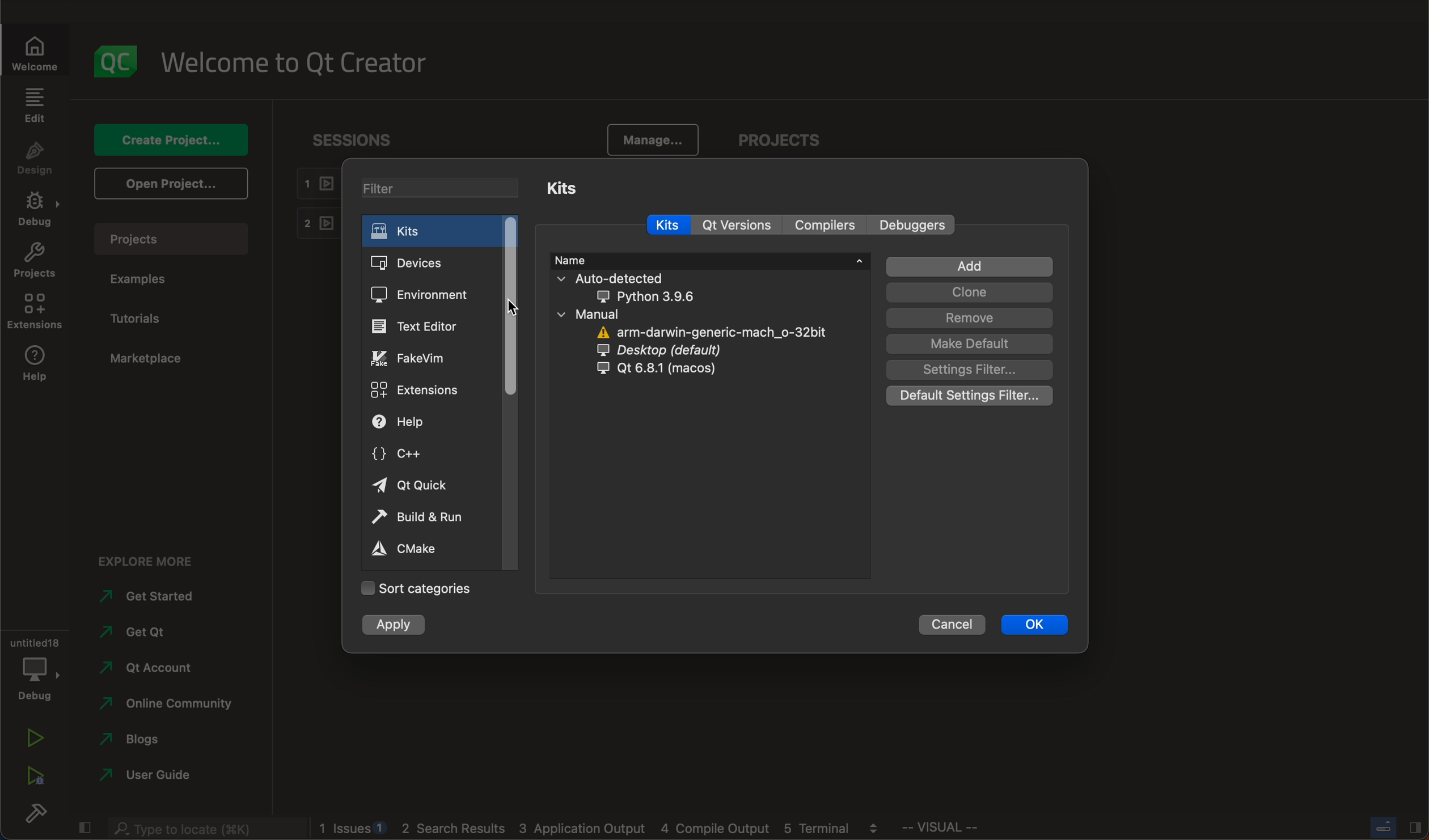 The image size is (1429, 840). Describe the element at coordinates (39, 46) in the screenshot. I see `welcomw` at that location.